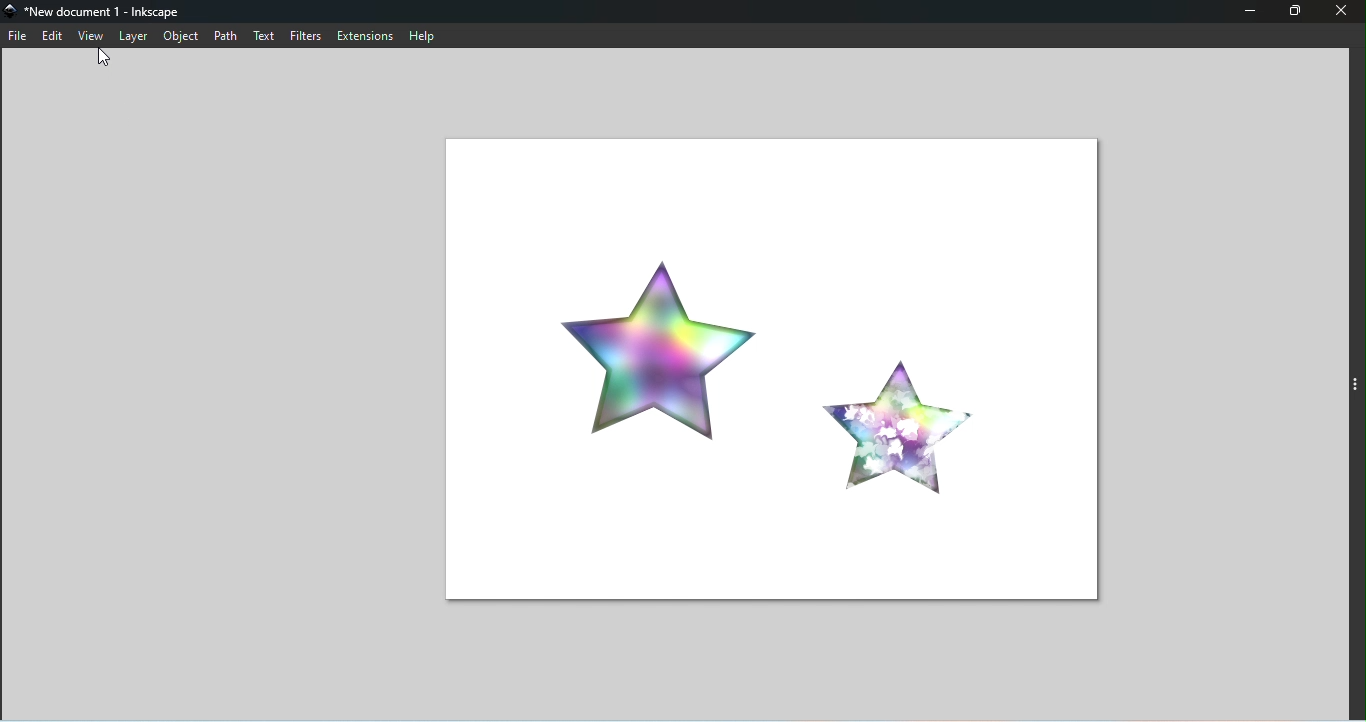  What do you see at coordinates (426, 35) in the screenshot?
I see `Help` at bounding box center [426, 35].